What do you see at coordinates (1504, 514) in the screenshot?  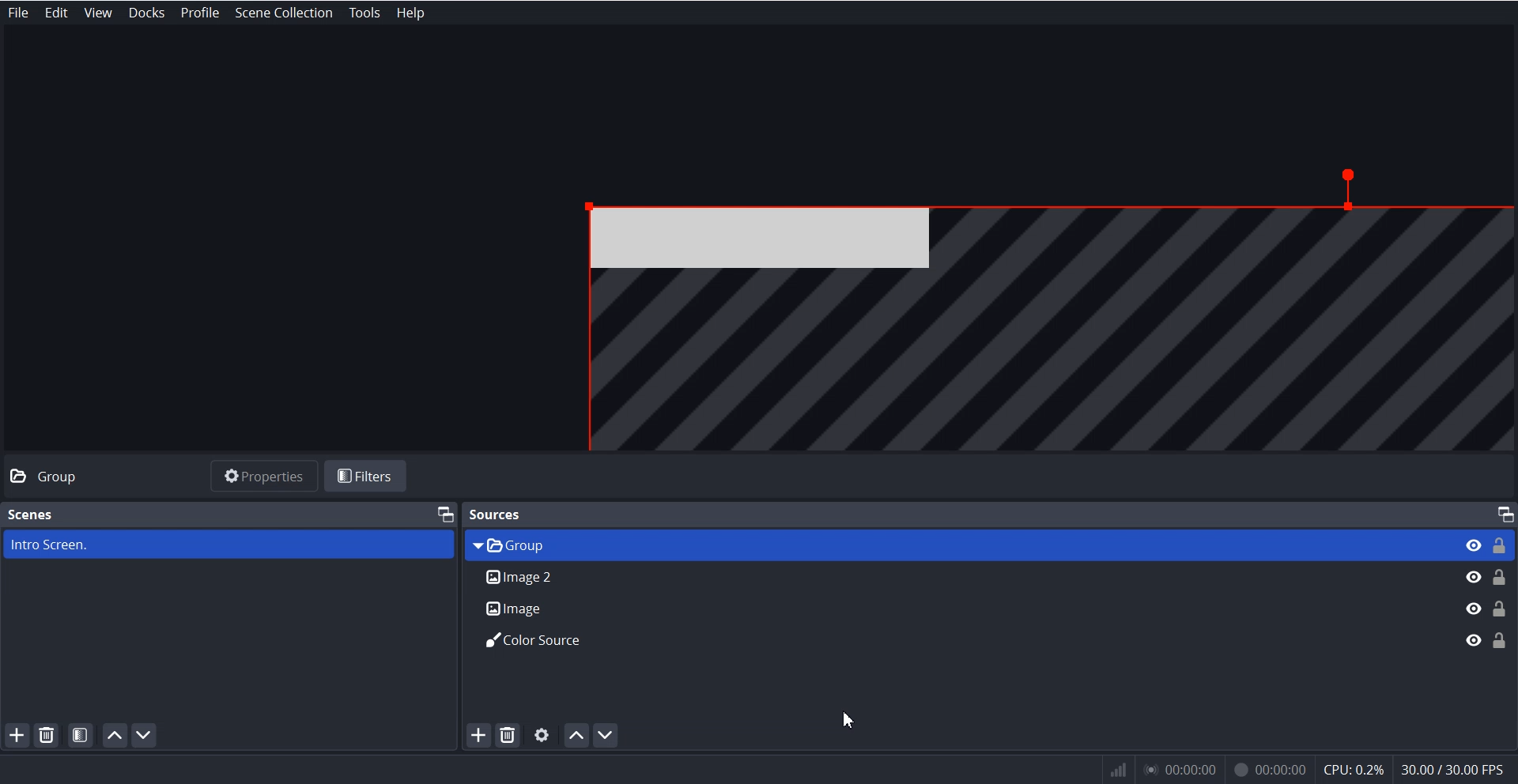 I see `Maximize` at bounding box center [1504, 514].